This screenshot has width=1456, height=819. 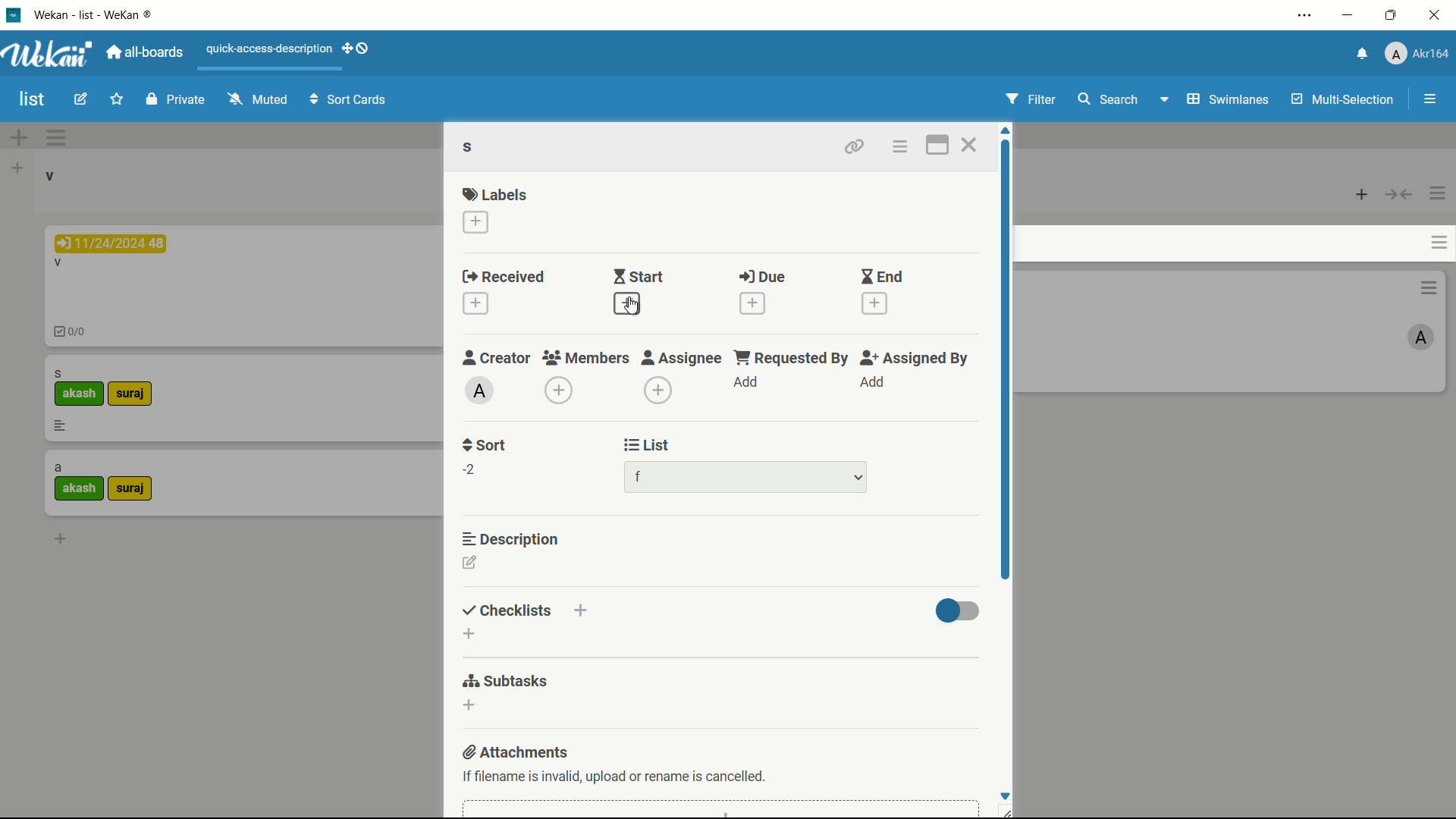 I want to click on add subtasks, so click(x=468, y=704).